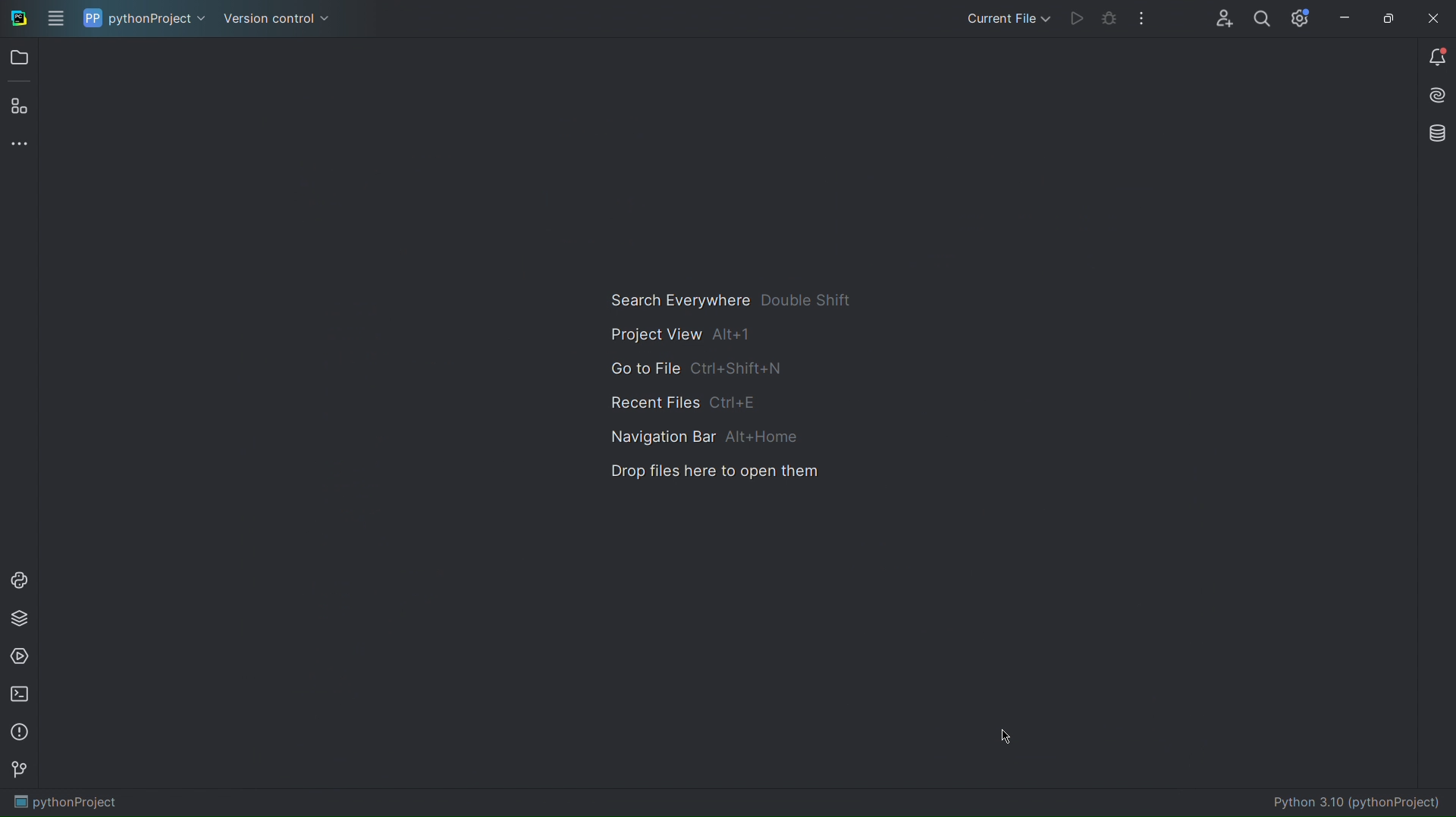  I want to click on Notifications, so click(1436, 58).